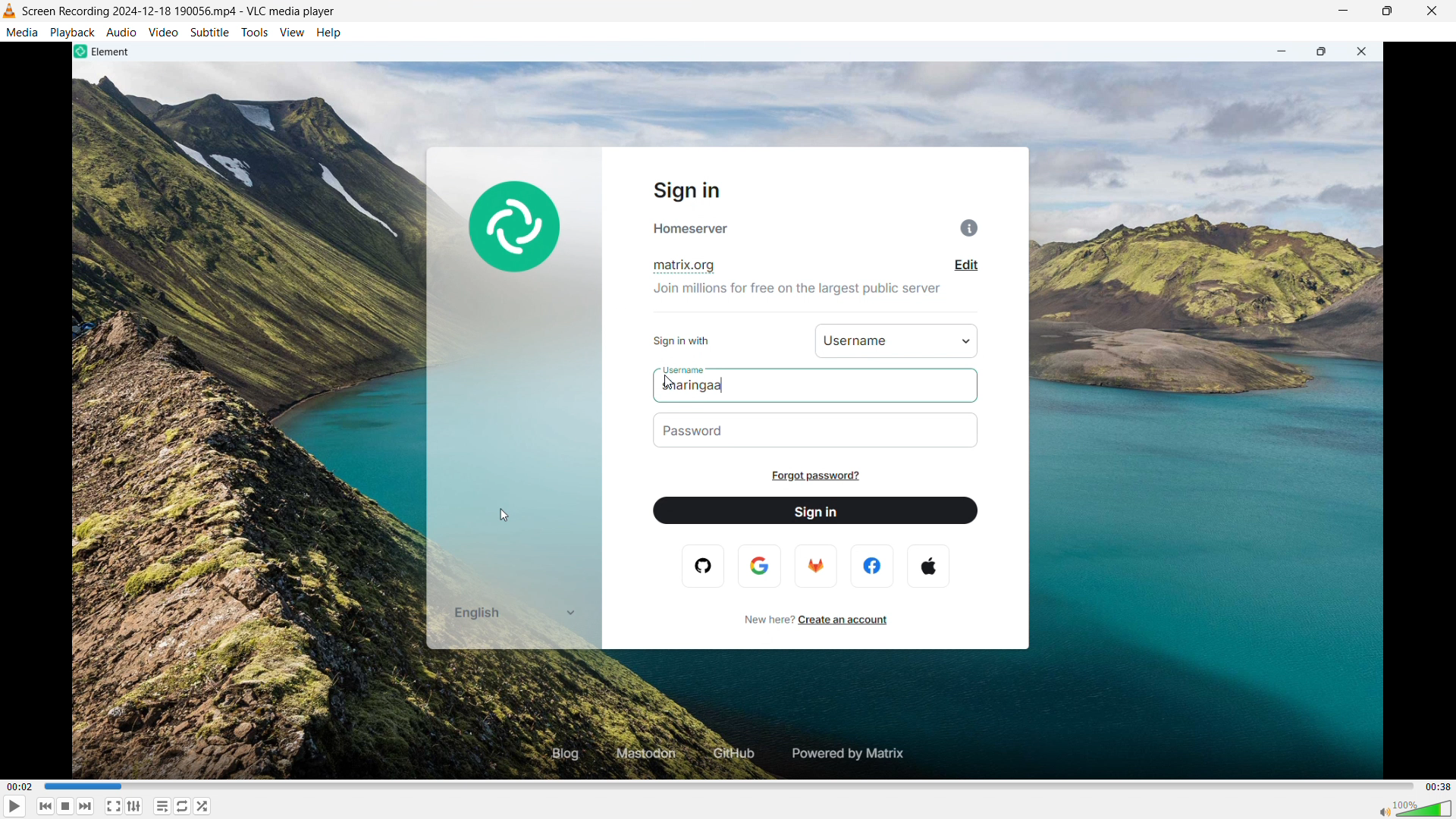  I want to click on tools, so click(255, 33).